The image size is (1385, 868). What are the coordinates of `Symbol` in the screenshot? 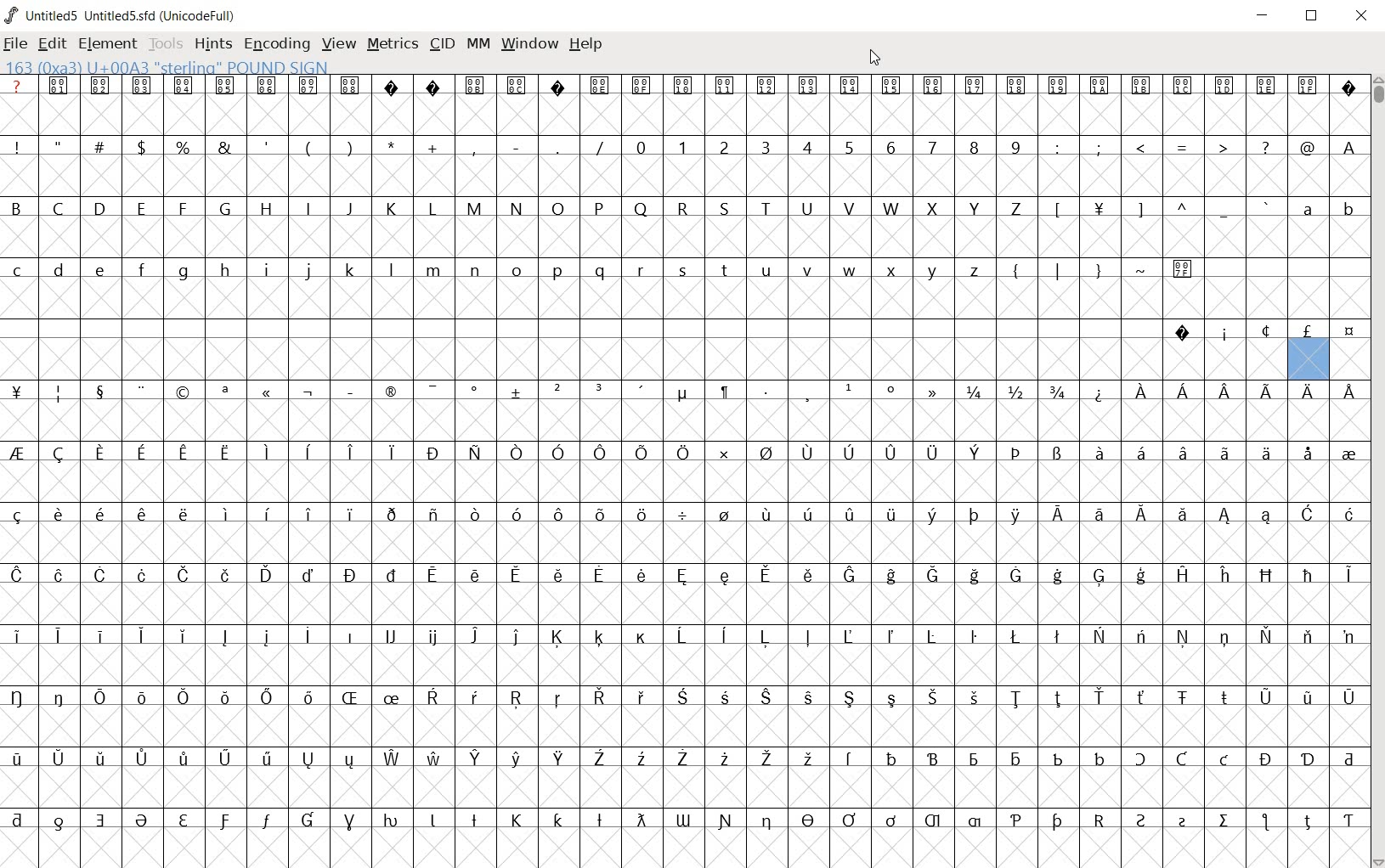 It's located at (601, 699).